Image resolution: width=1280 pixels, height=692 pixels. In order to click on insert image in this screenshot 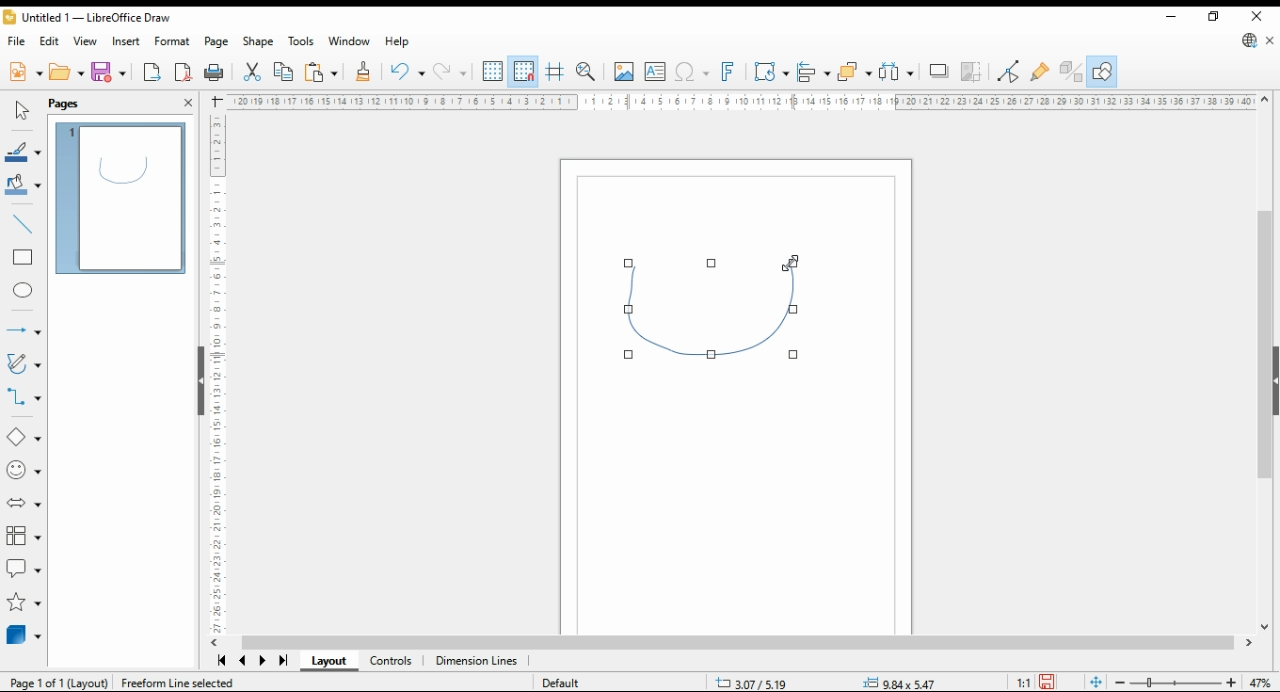, I will do `click(623, 72)`.